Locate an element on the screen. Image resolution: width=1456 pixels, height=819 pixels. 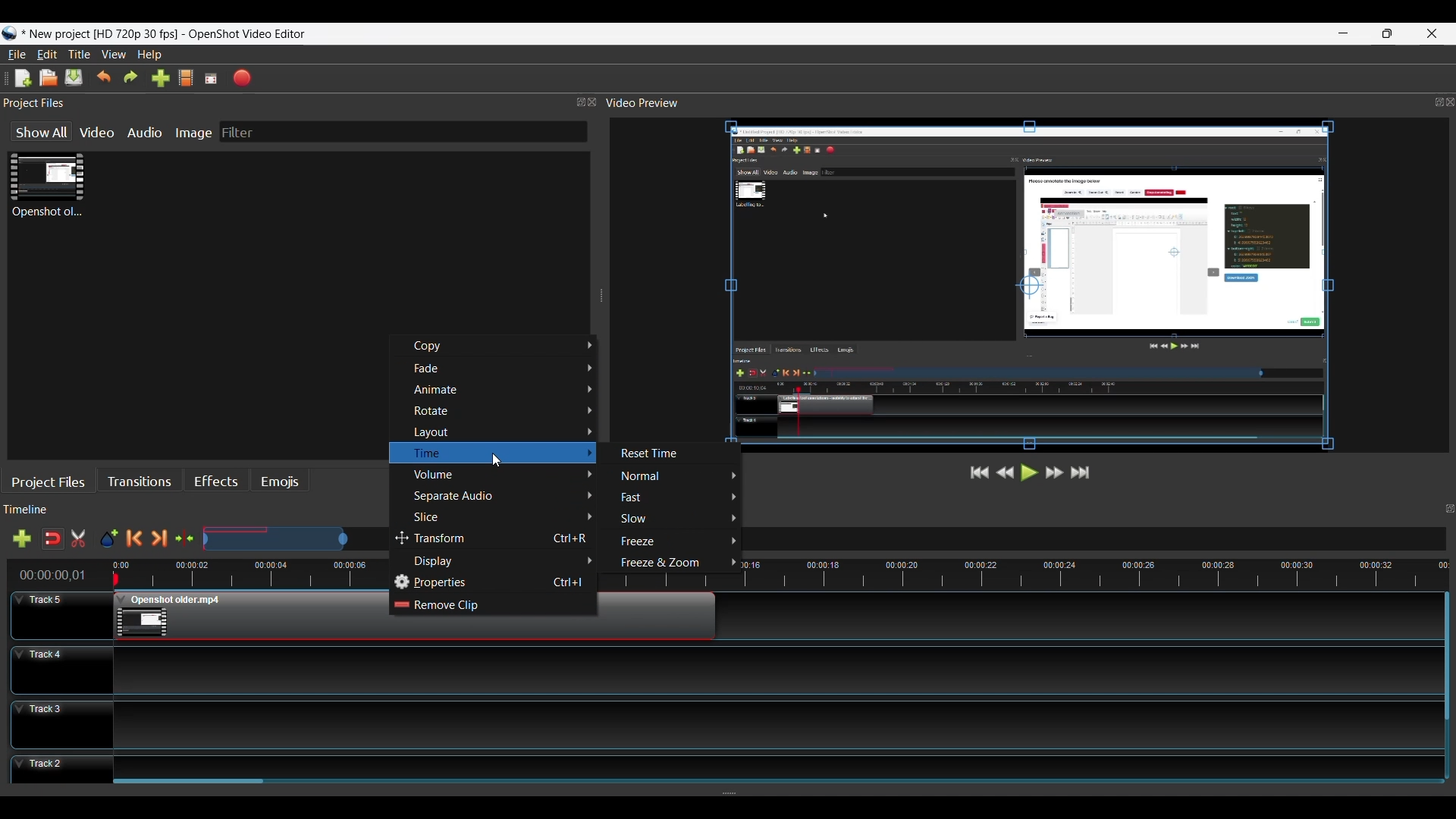
timeline is located at coordinates (1112, 572).